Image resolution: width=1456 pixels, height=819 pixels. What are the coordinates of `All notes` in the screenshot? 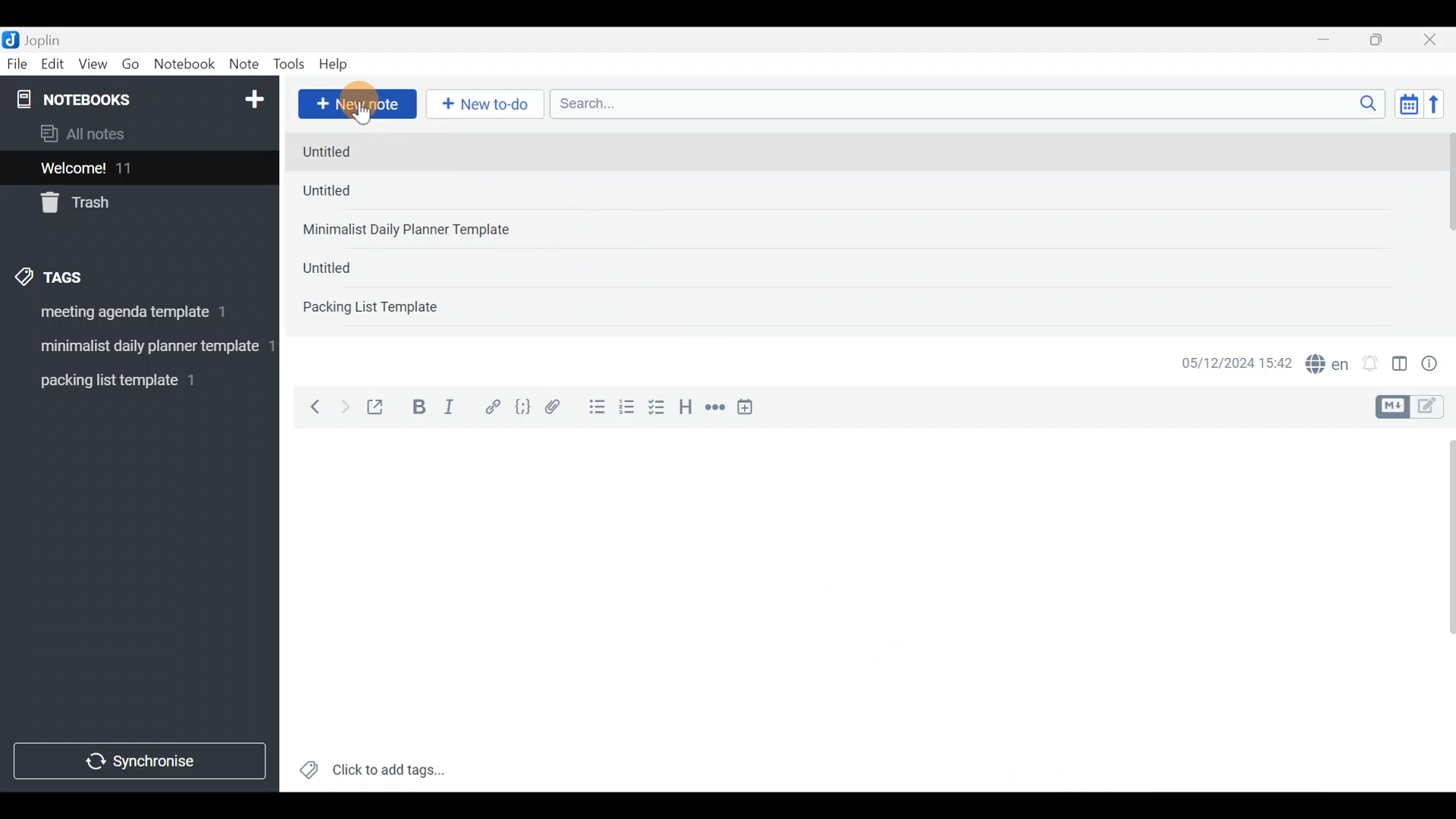 It's located at (136, 135).